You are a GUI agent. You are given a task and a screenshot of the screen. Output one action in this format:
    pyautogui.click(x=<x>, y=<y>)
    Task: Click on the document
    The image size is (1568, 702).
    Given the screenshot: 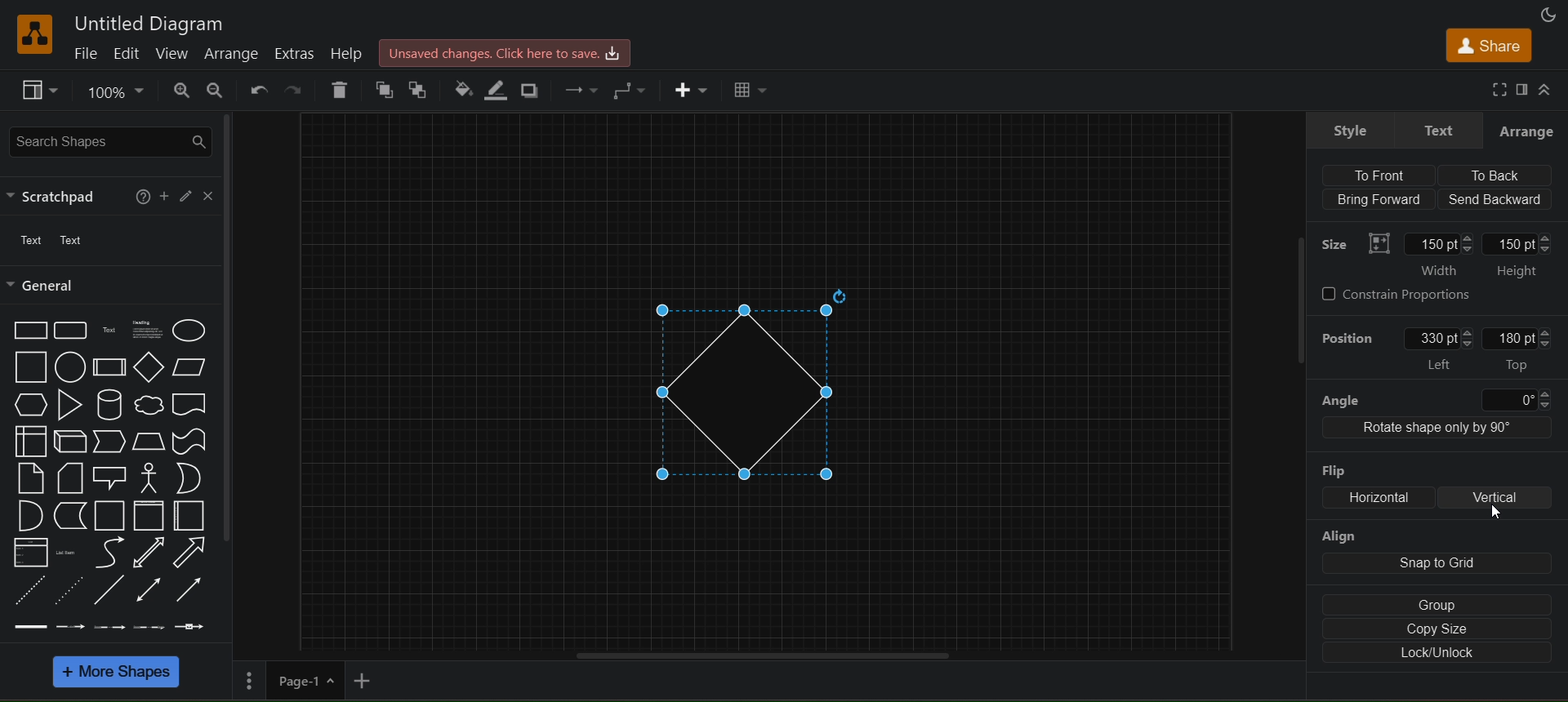 What is the action you would take?
    pyautogui.click(x=189, y=404)
    